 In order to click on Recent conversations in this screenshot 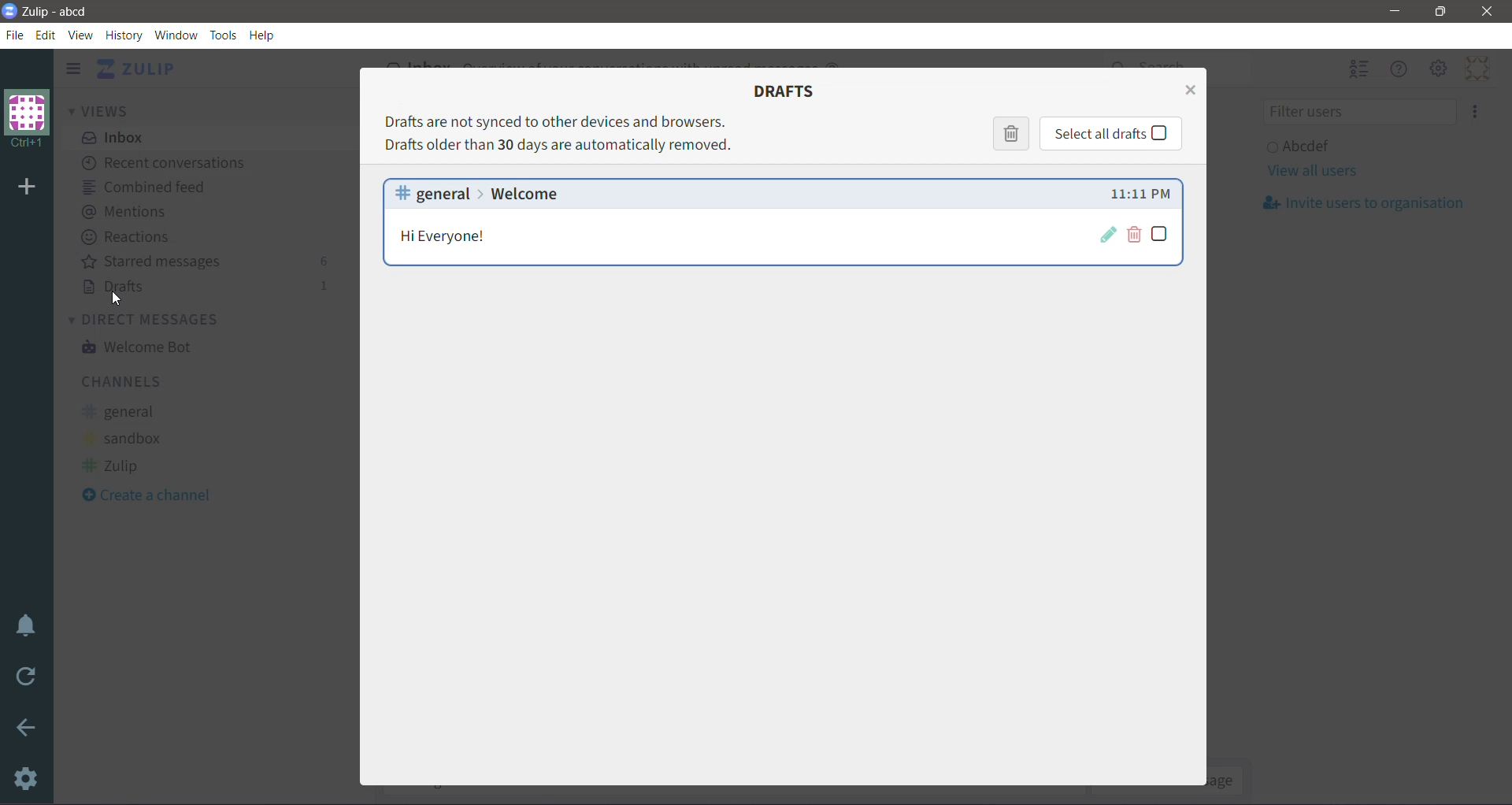, I will do `click(169, 164)`.